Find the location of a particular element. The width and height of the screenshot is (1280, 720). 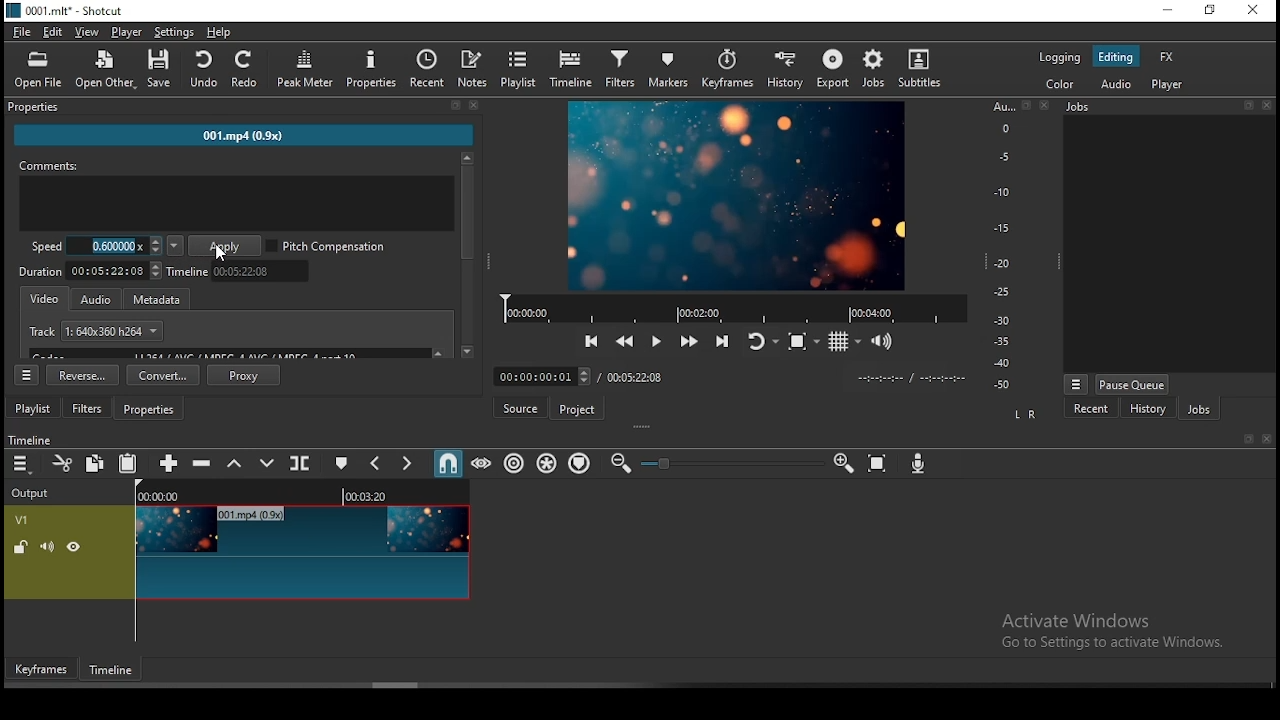

snap is located at coordinates (450, 463).